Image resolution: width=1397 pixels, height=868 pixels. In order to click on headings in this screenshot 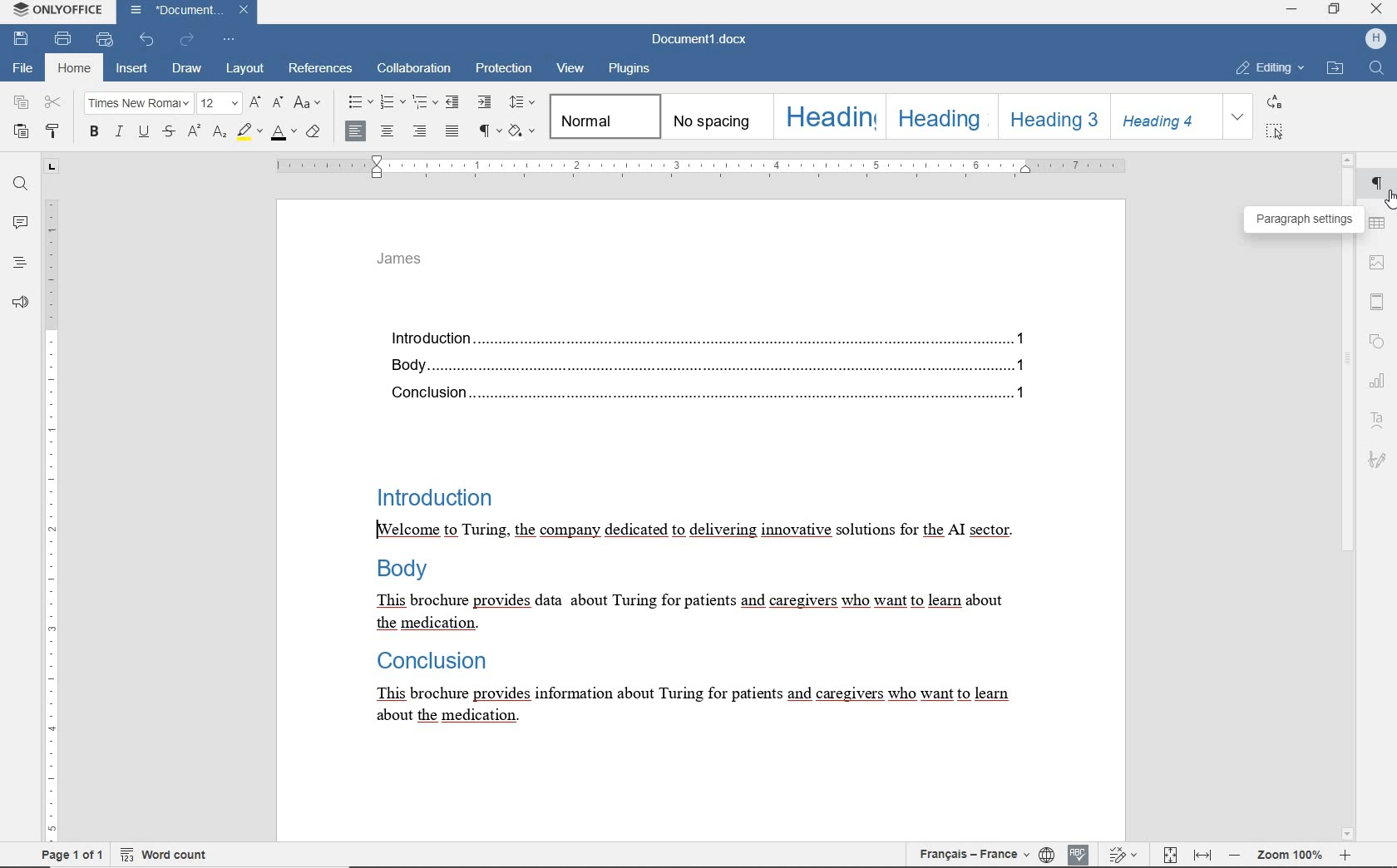, I will do `click(19, 264)`.